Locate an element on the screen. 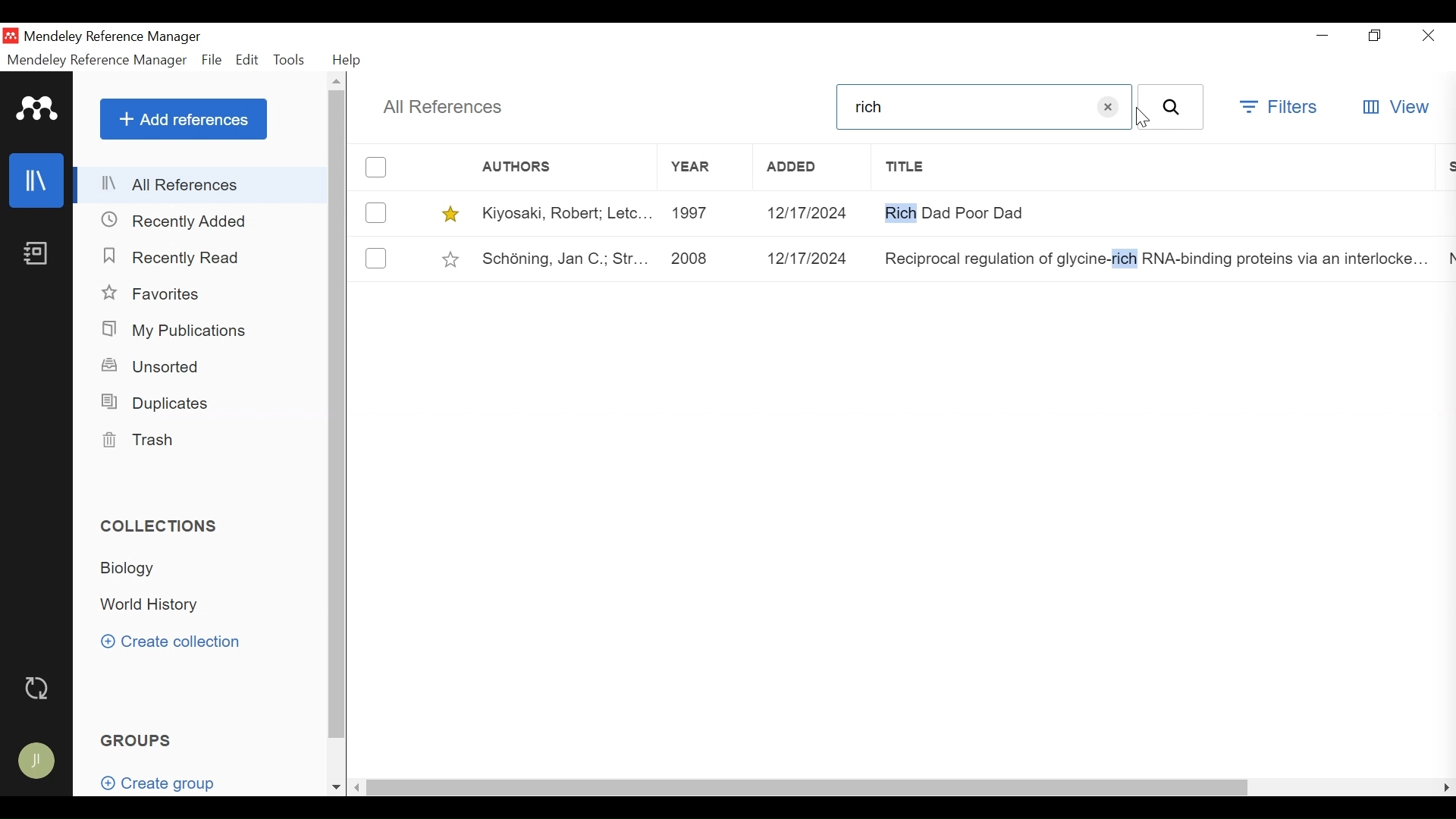 The width and height of the screenshot is (1456, 819). Search text: 'rich' is located at coordinates (959, 107).